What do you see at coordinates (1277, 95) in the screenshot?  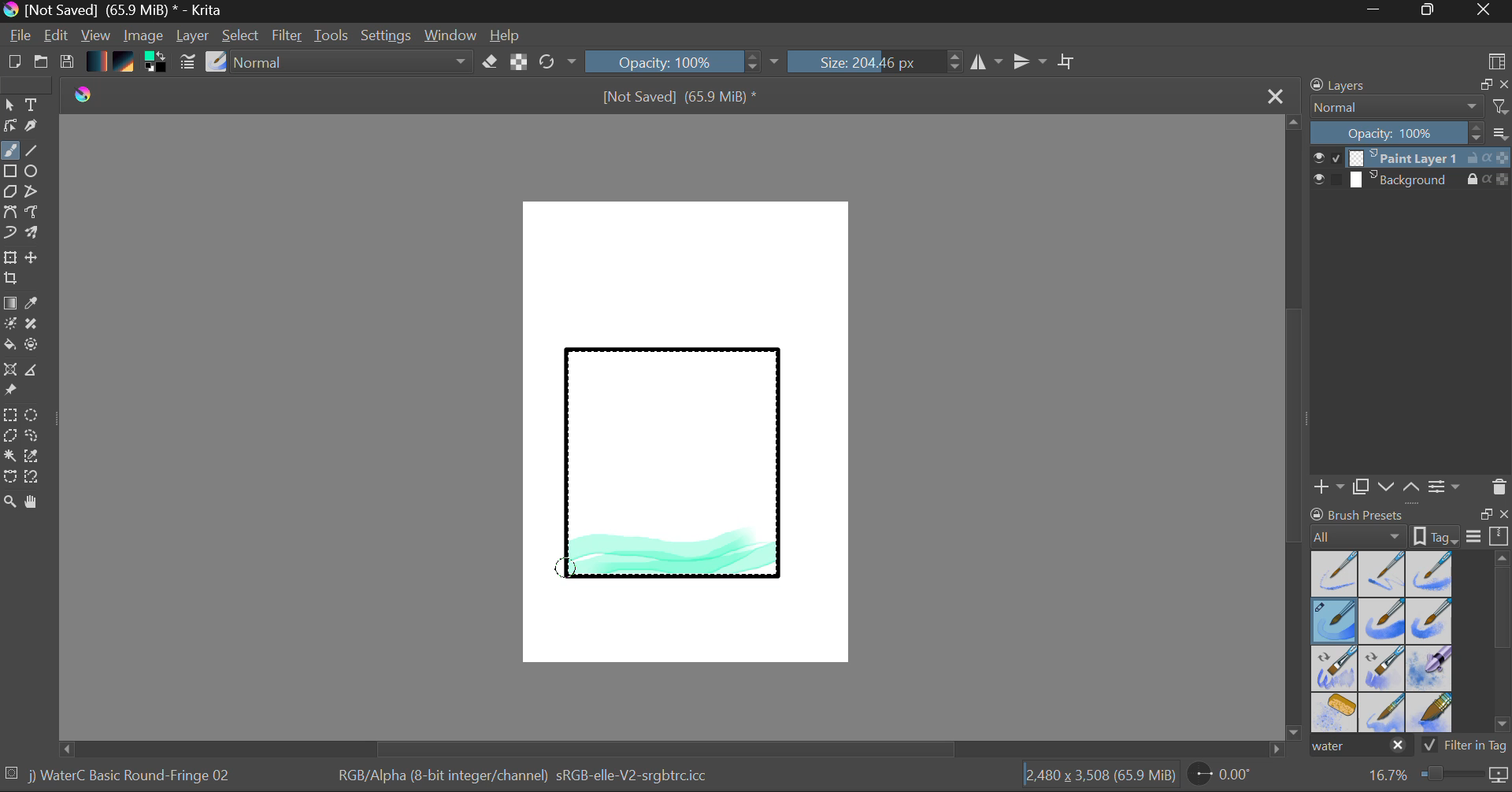 I see `Close` at bounding box center [1277, 95].